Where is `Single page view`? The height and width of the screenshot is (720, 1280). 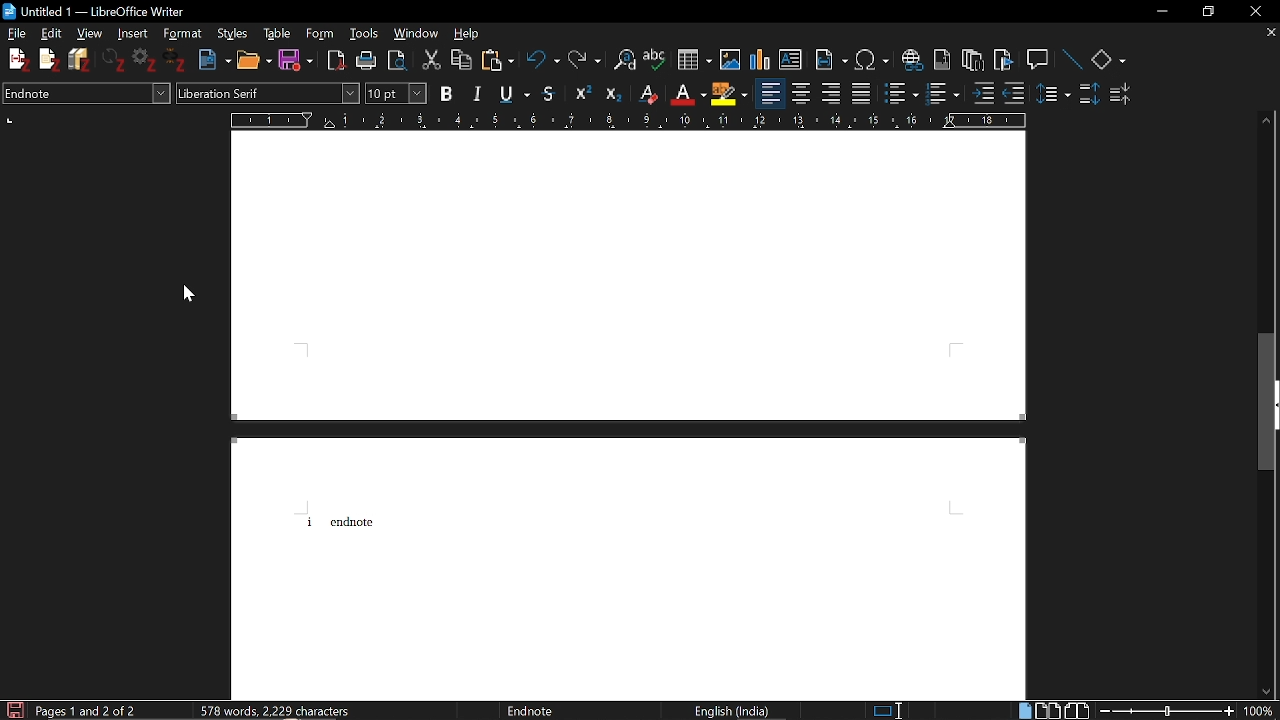
Single page view is located at coordinates (1024, 710).